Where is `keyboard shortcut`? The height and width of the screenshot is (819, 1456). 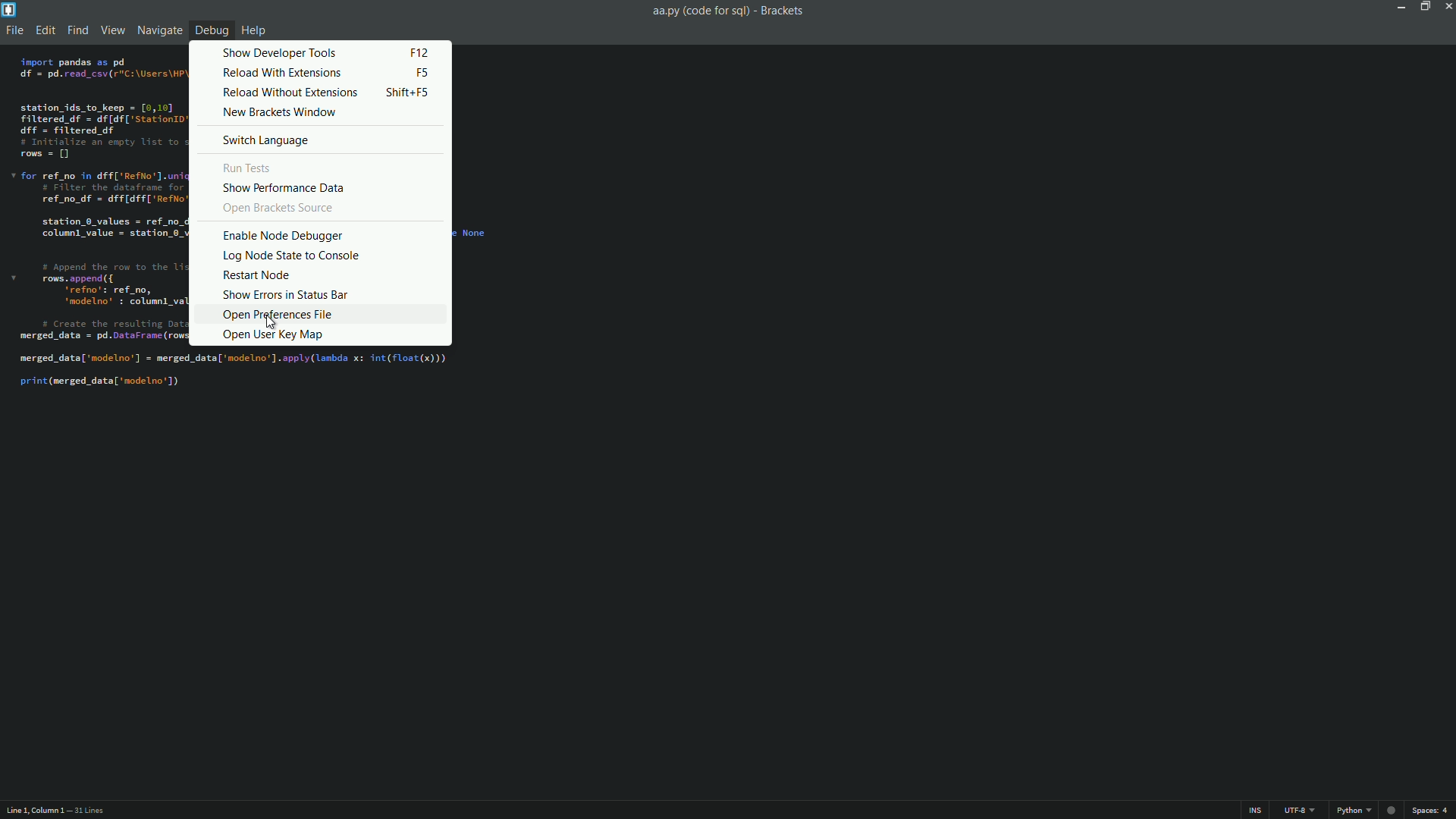
keyboard shortcut is located at coordinates (419, 52).